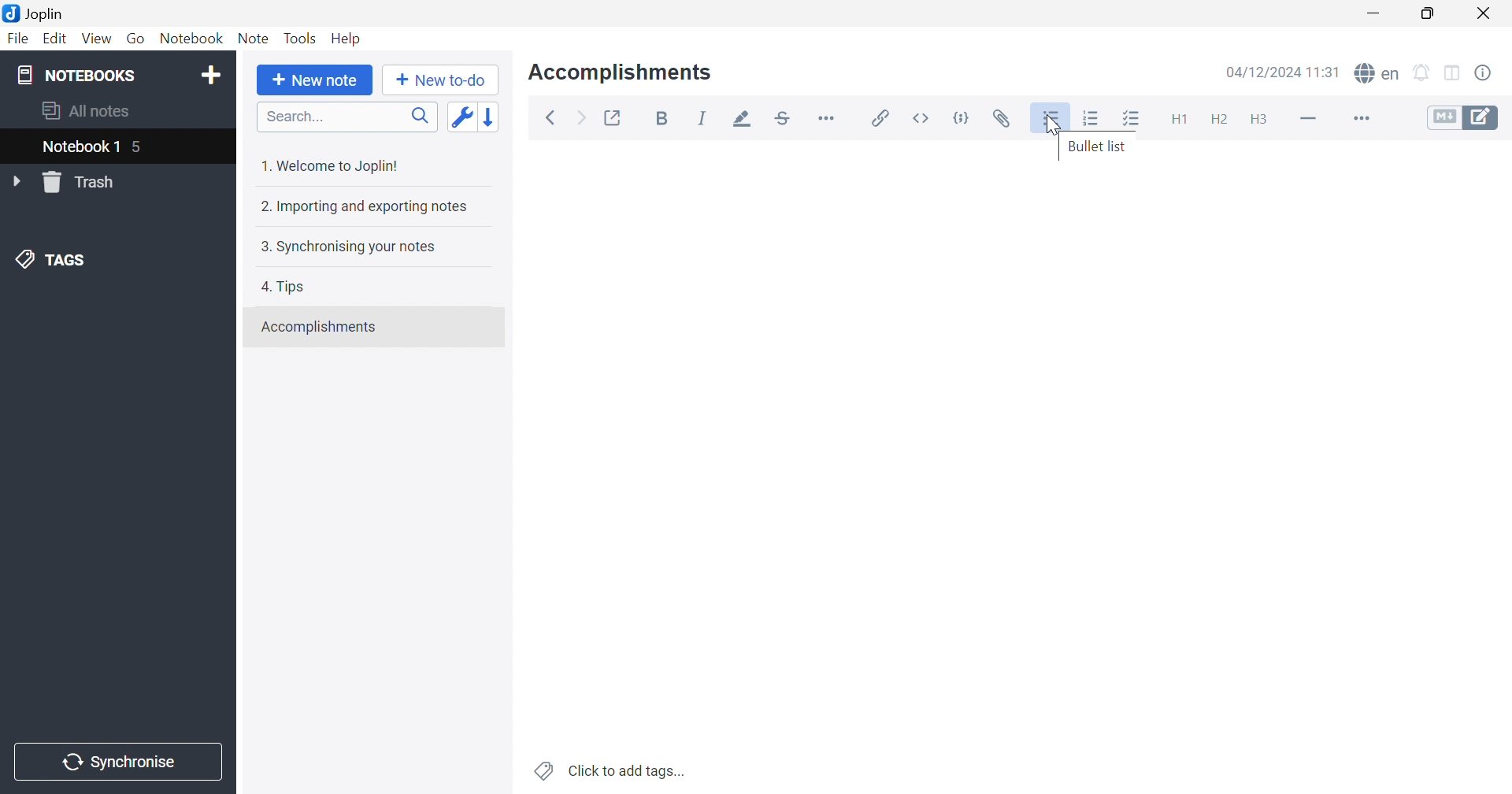 The image size is (1512, 794). Describe the element at coordinates (1486, 74) in the screenshot. I see `Note properties` at that location.